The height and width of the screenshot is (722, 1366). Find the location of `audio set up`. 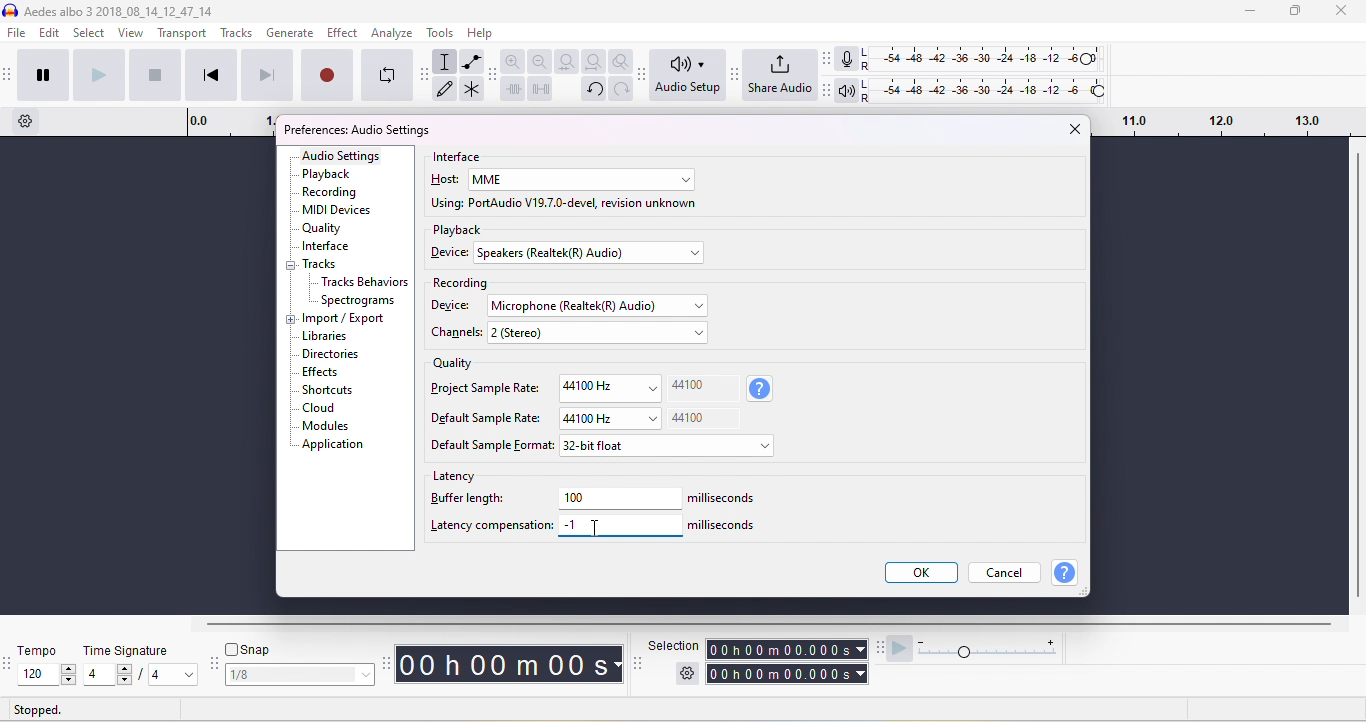

audio set up is located at coordinates (690, 75).